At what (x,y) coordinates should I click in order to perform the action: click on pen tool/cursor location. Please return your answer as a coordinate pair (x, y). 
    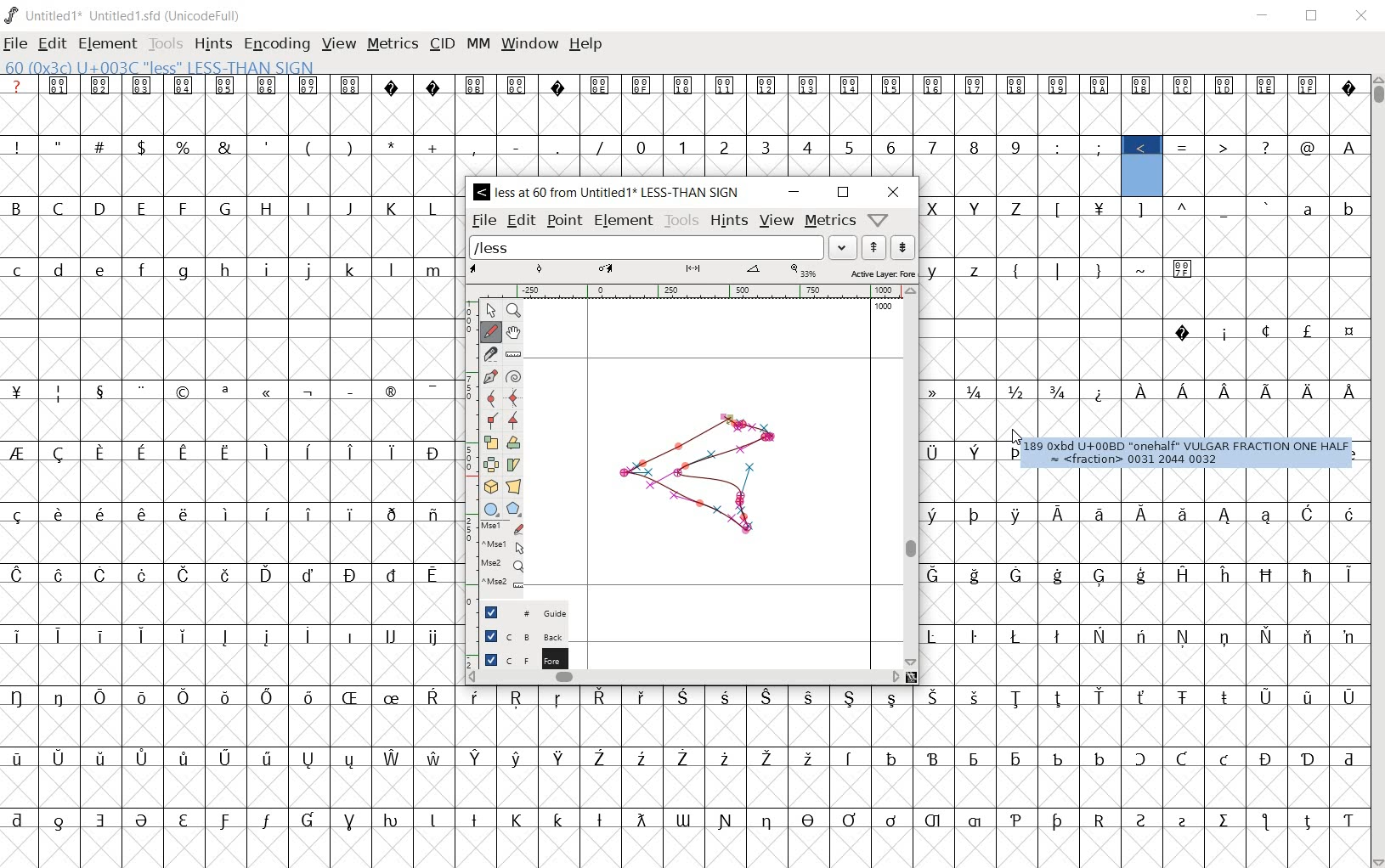
    Looking at the image, I should click on (1016, 439).